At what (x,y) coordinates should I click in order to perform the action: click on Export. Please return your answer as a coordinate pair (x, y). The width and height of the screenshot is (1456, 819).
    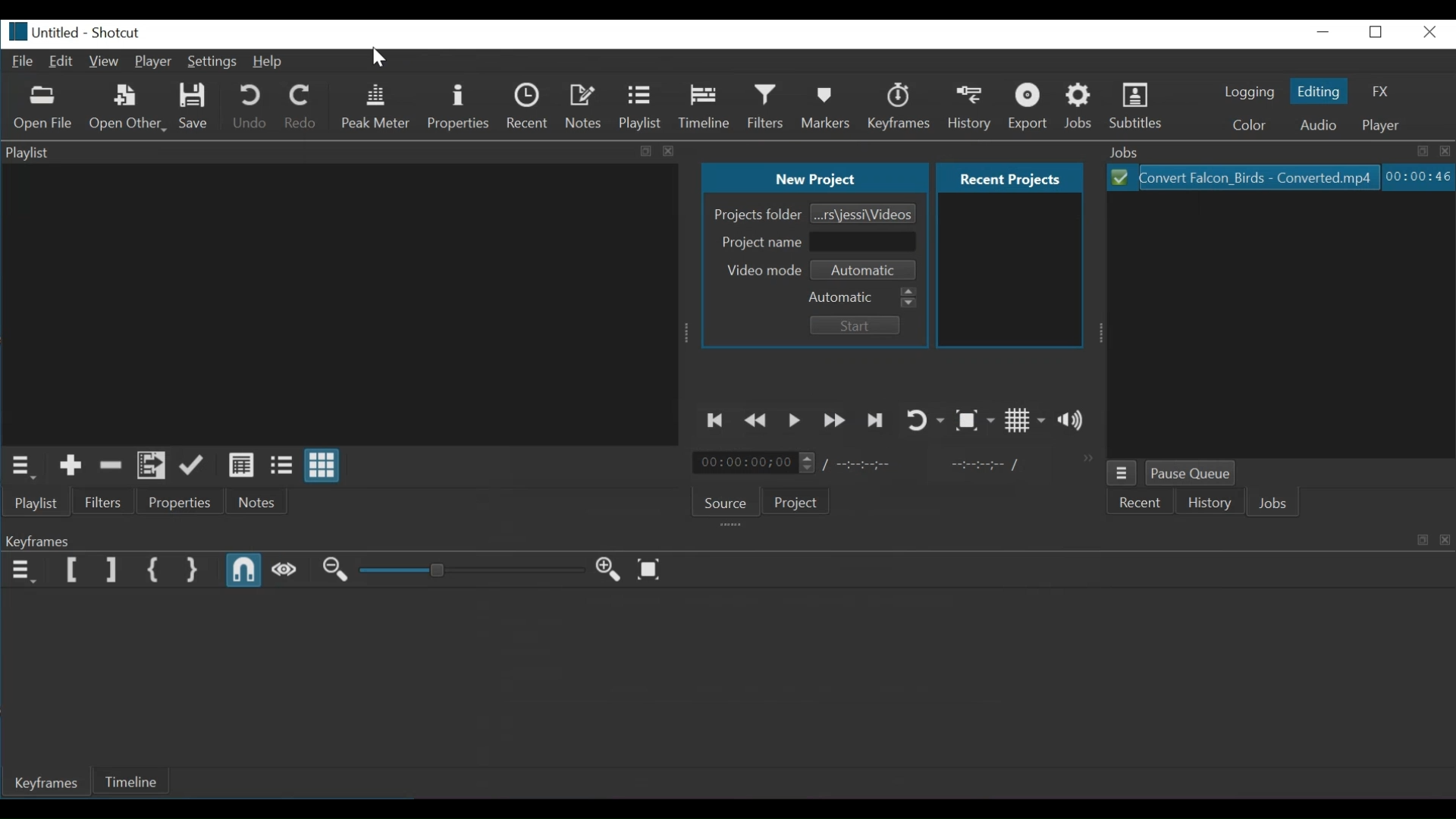
    Looking at the image, I should click on (1031, 107).